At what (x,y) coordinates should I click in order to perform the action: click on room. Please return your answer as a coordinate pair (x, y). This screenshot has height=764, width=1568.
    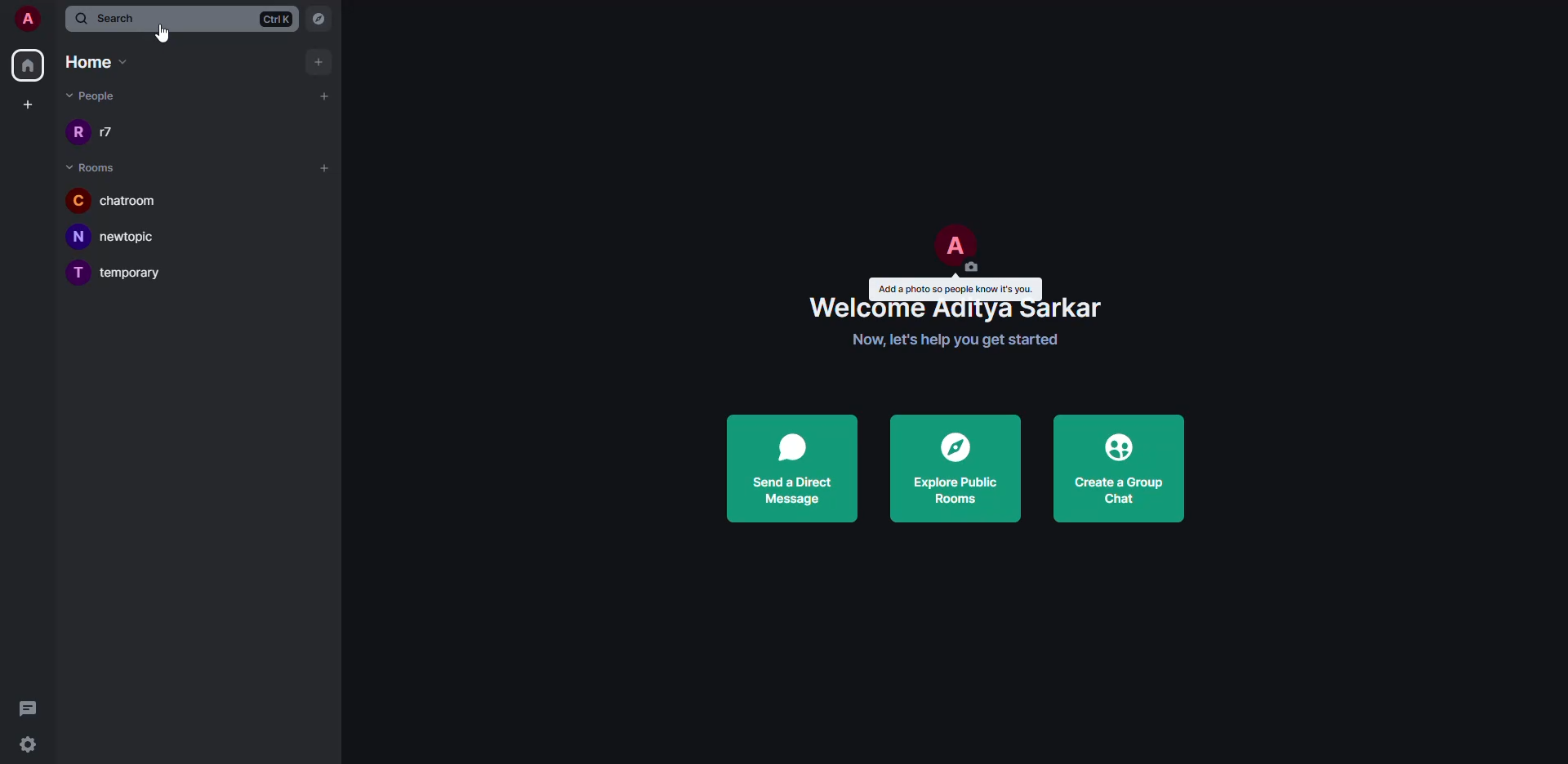
    Looking at the image, I should click on (122, 238).